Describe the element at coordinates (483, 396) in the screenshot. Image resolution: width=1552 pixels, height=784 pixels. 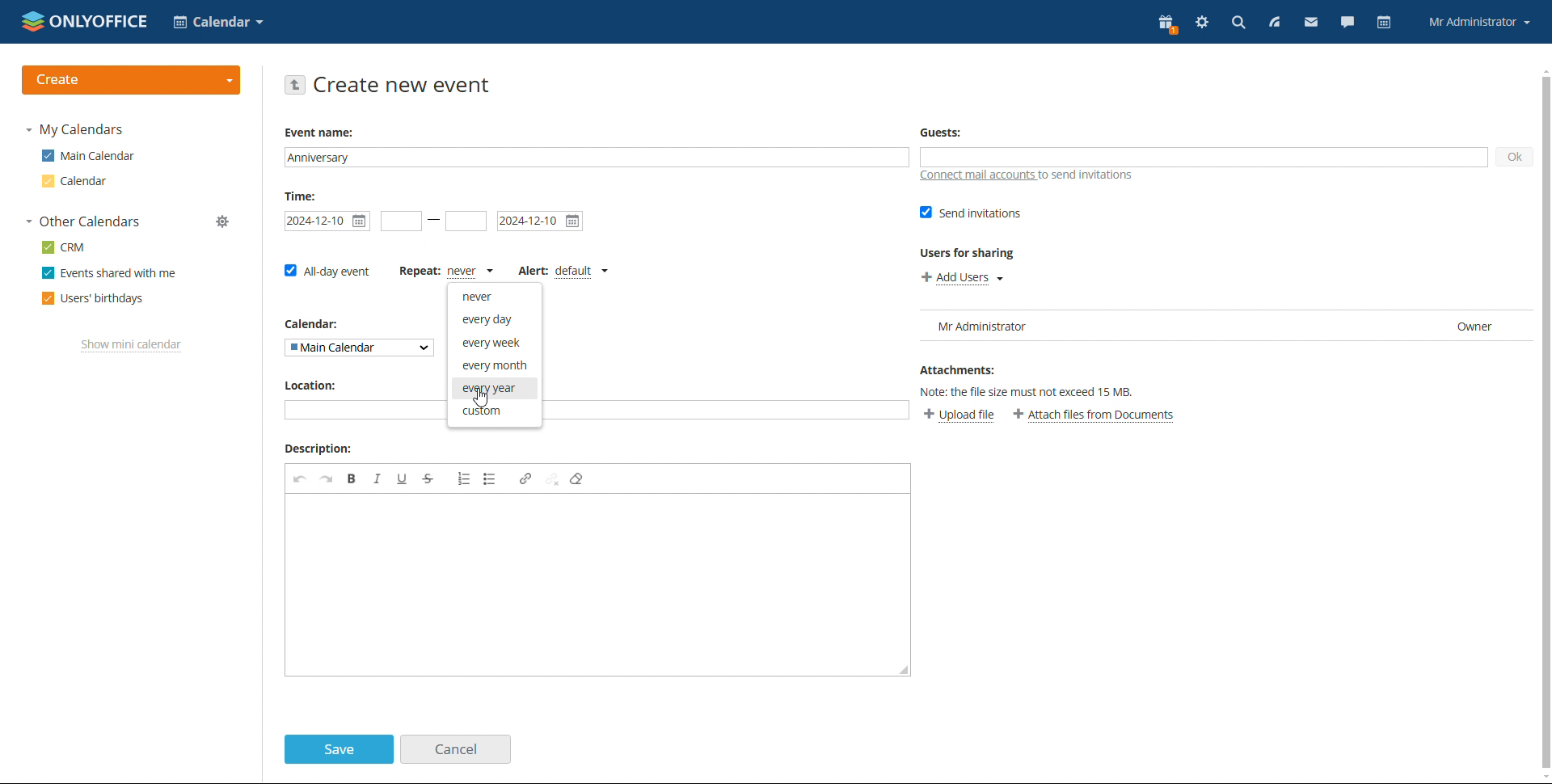
I see `cursor` at that location.